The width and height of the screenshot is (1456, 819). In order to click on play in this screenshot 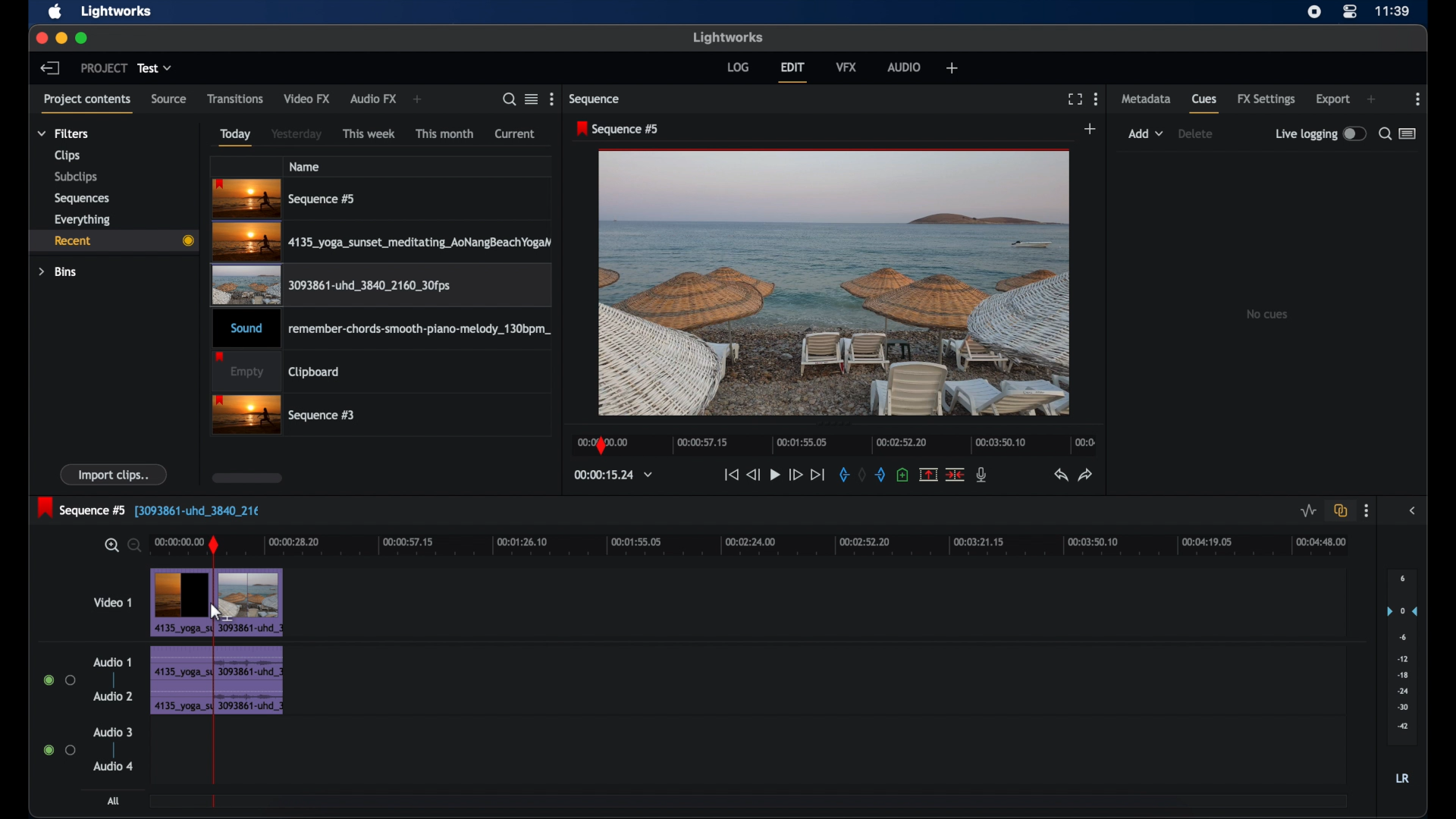, I will do `click(775, 475)`.